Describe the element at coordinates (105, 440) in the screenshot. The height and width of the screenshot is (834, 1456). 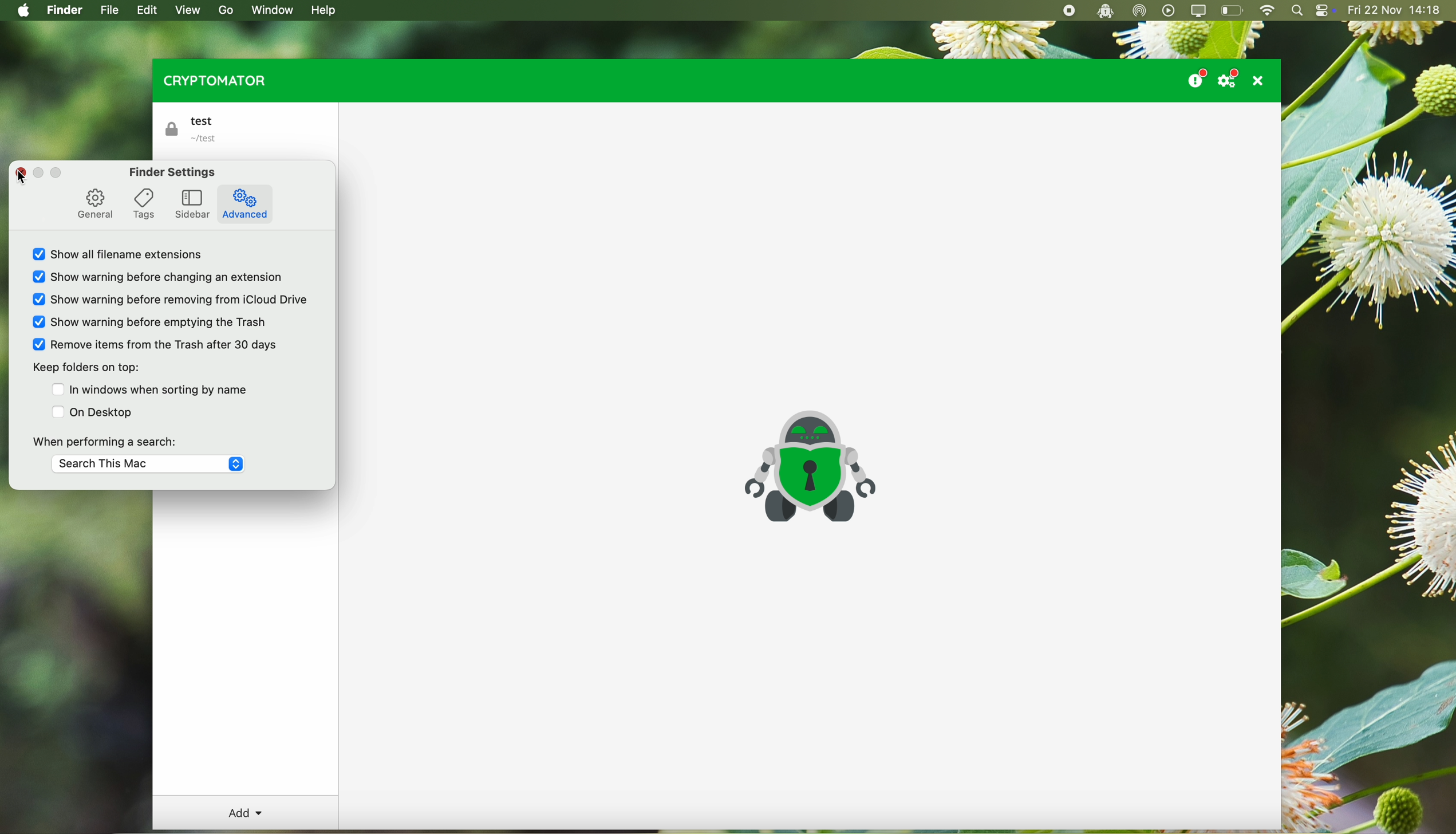
I see `when performing a search:` at that location.